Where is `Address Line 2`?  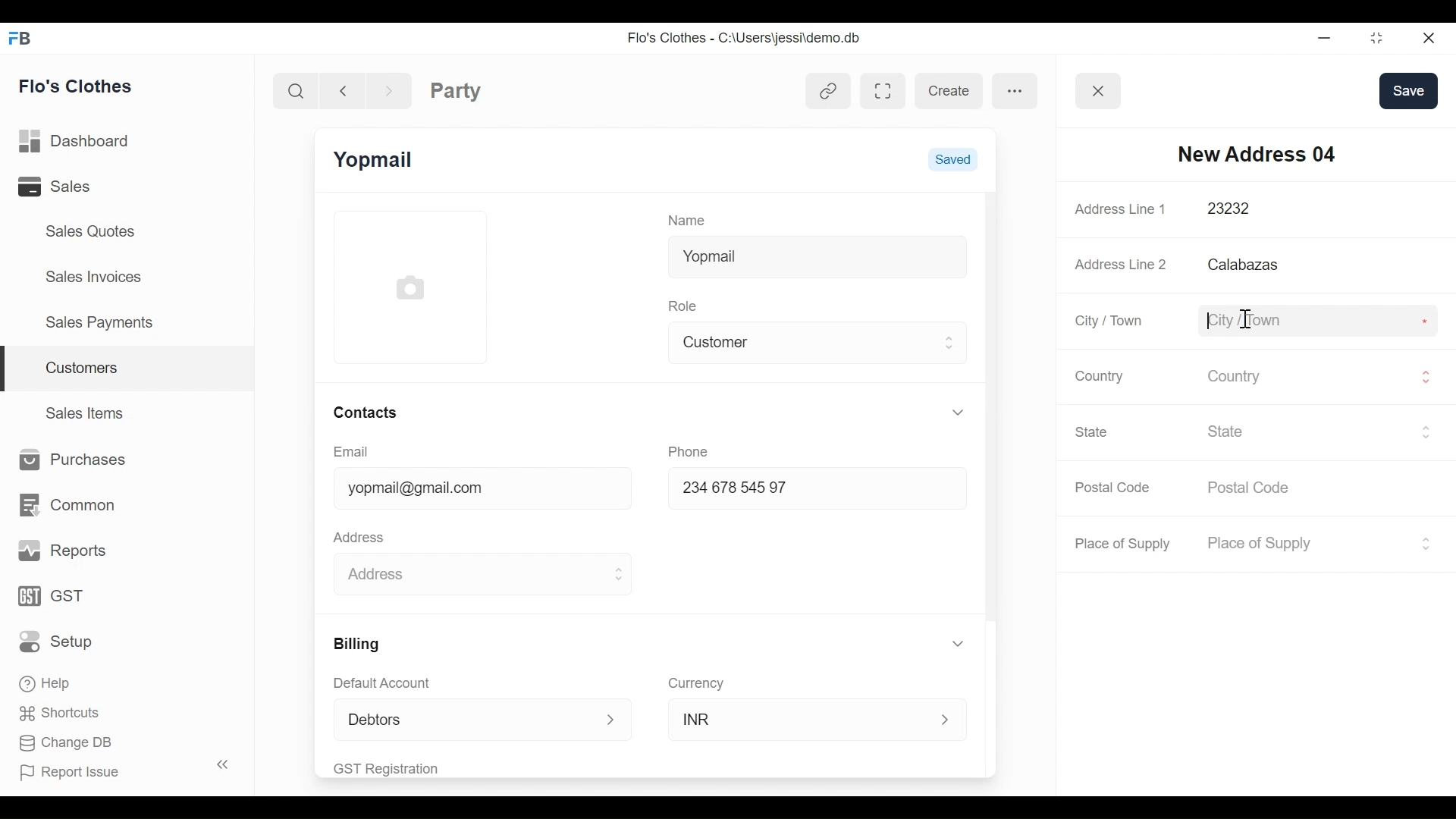
Address Line 2 is located at coordinates (1122, 260).